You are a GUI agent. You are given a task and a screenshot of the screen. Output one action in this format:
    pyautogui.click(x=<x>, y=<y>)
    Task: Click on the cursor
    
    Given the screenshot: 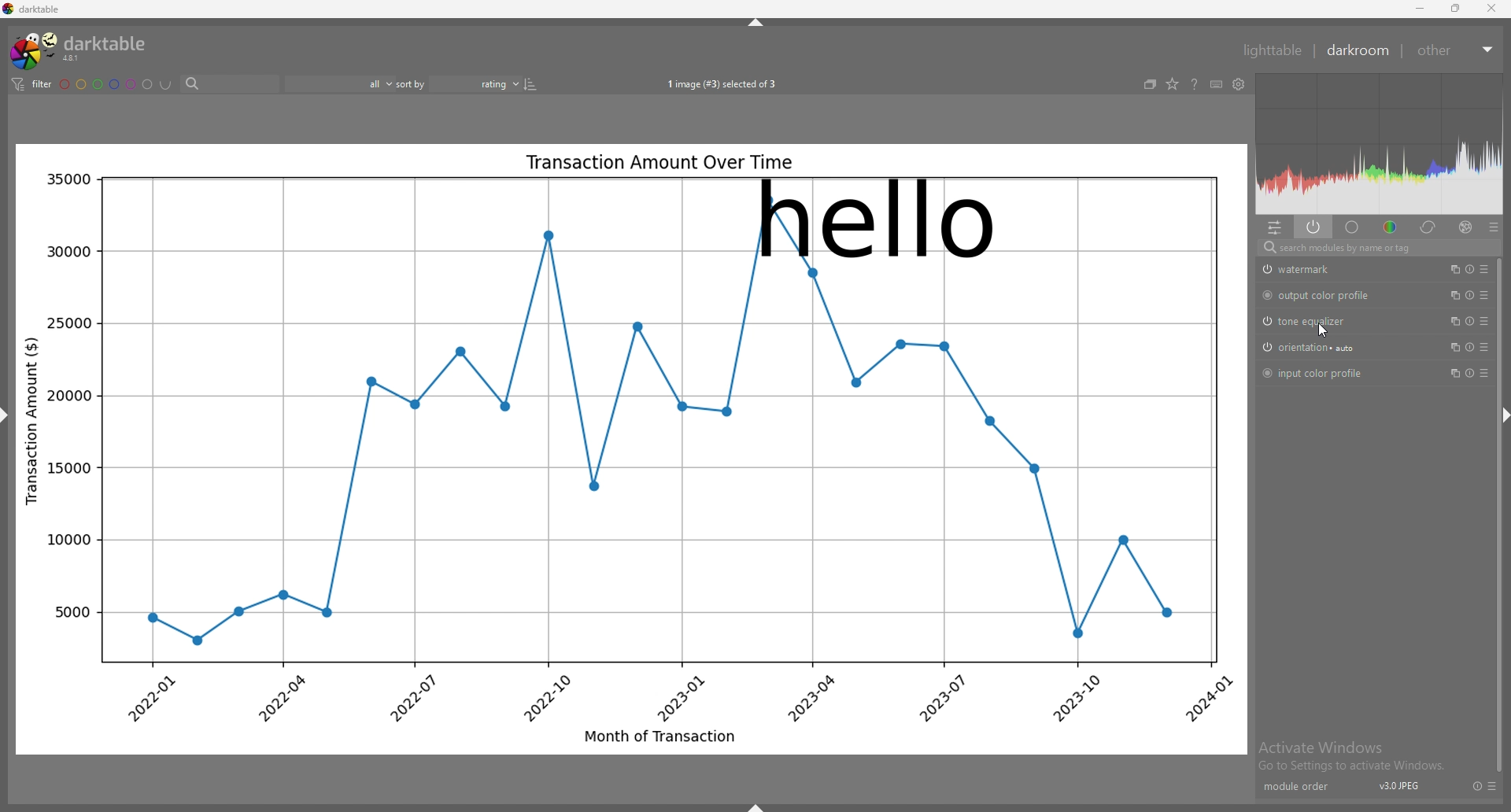 What is the action you would take?
    pyautogui.click(x=1326, y=330)
    